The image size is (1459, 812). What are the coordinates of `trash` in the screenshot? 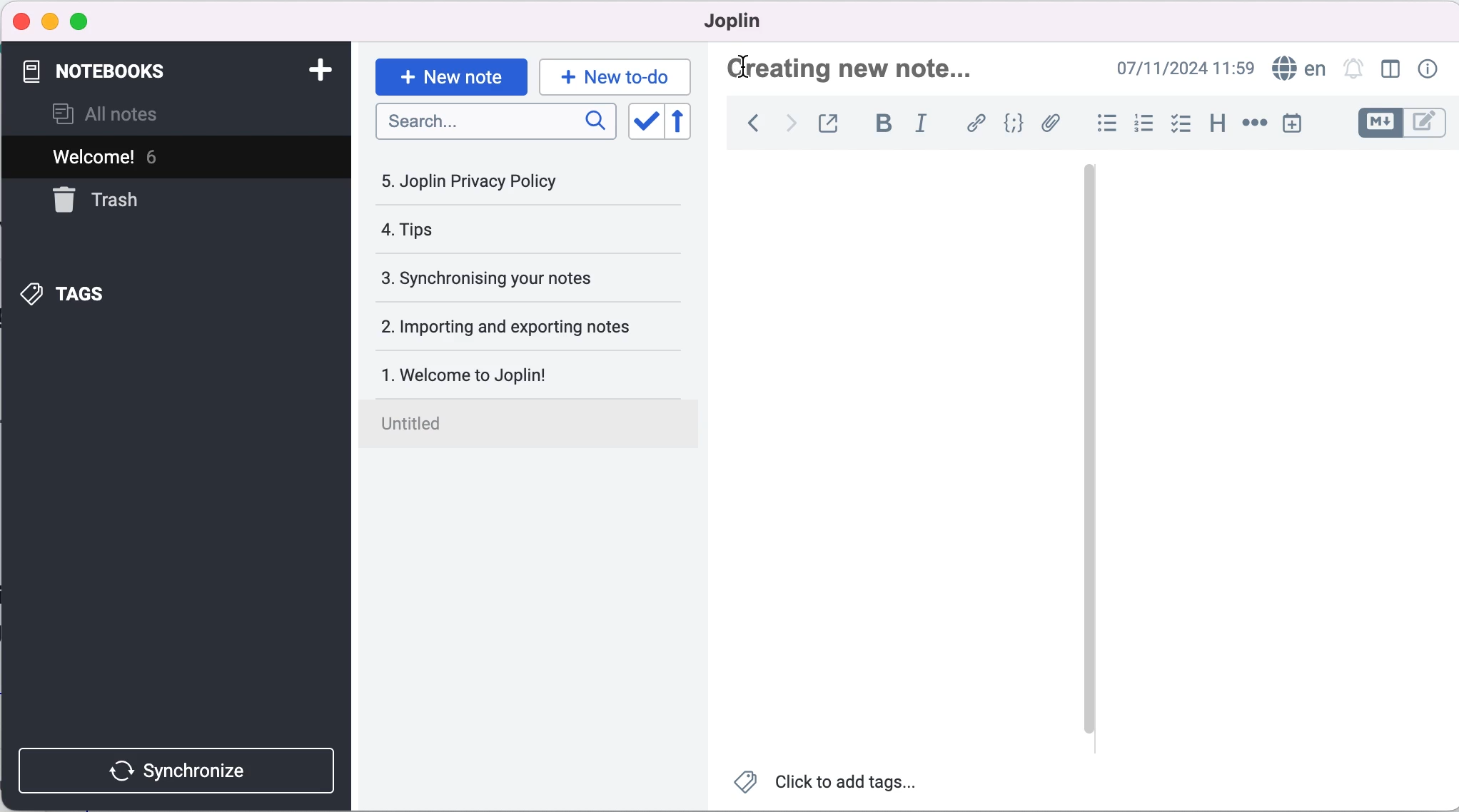 It's located at (111, 201).